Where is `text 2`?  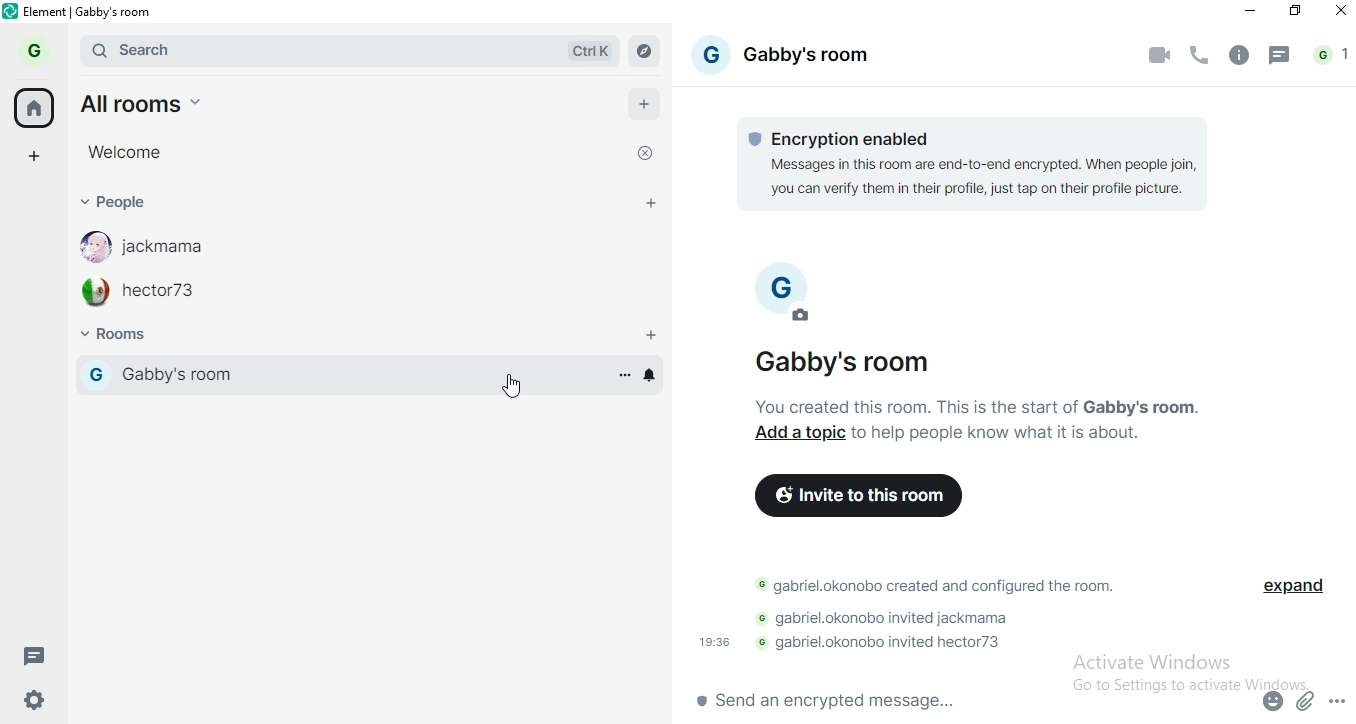
text 2 is located at coordinates (979, 404).